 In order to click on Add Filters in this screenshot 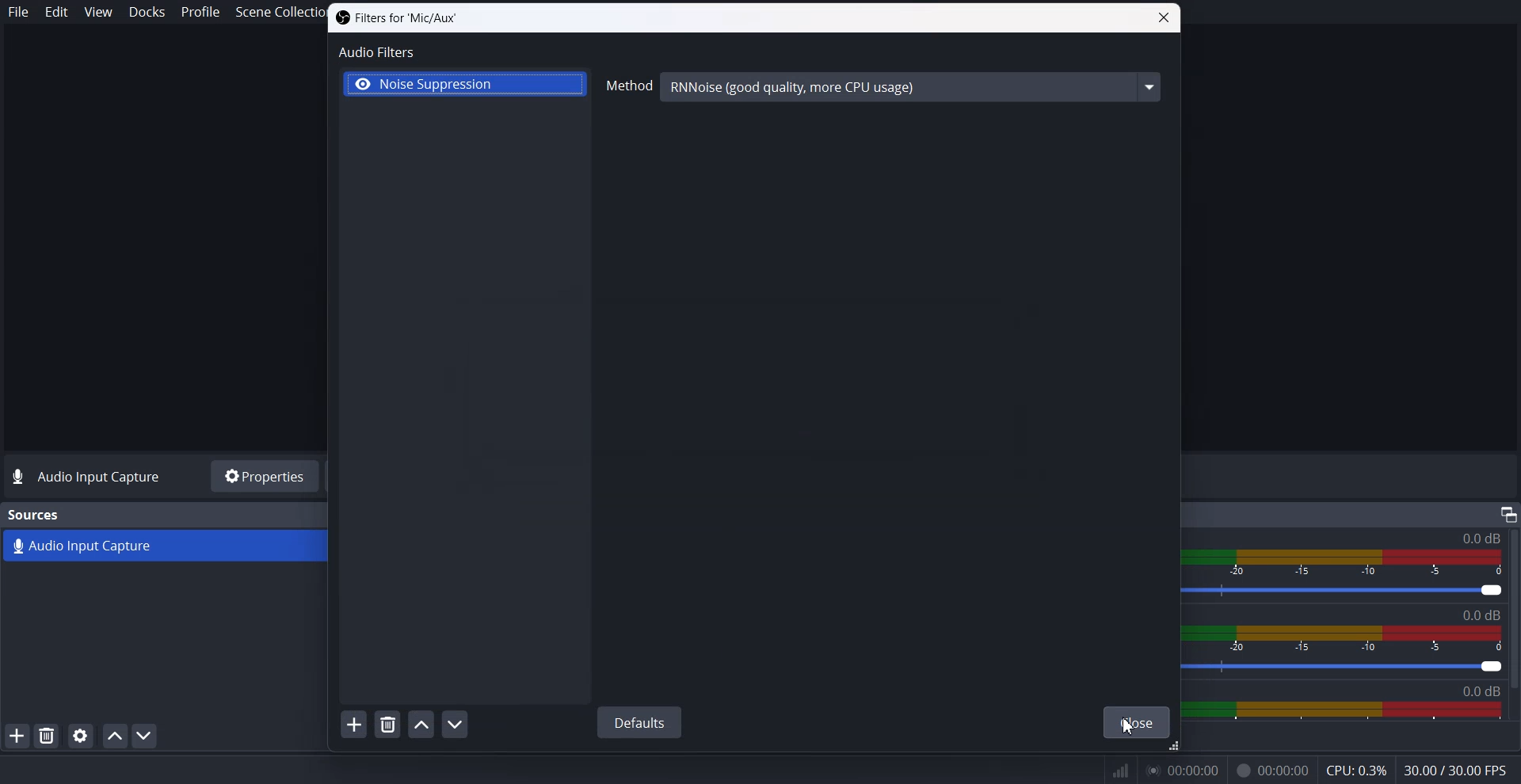, I will do `click(354, 724)`.